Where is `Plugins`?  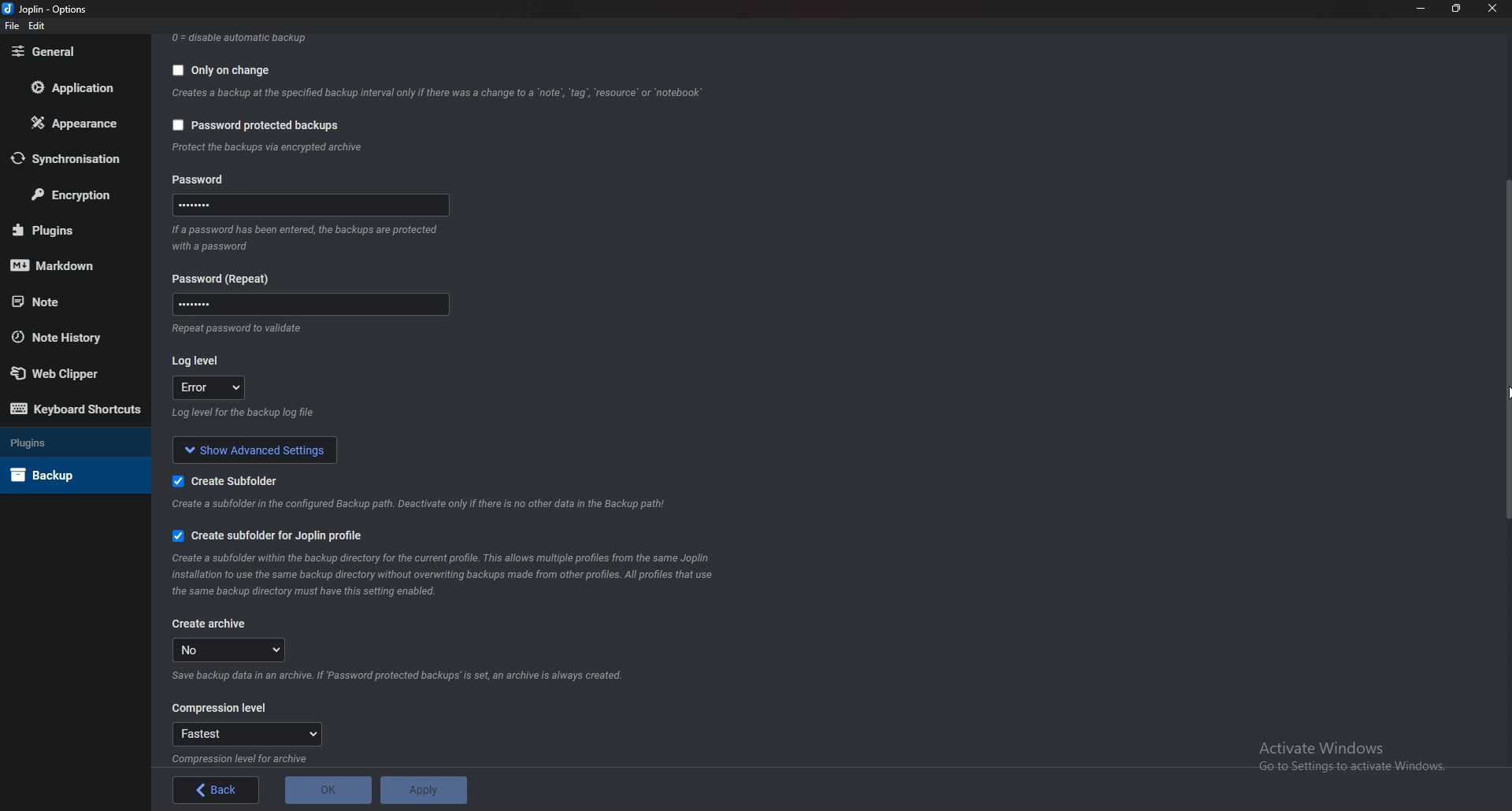 Plugins is located at coordinates (68, 230).